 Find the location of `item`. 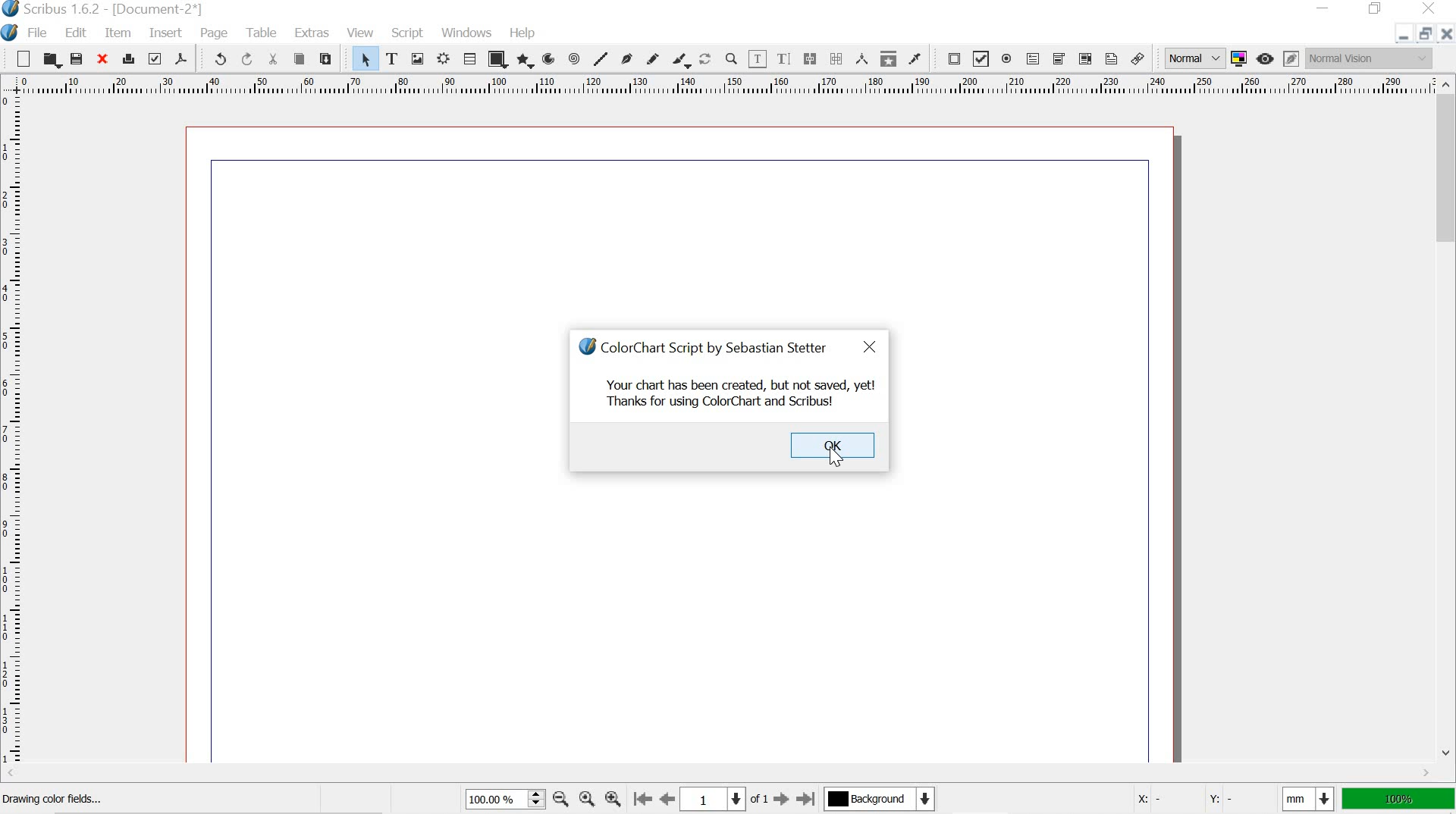

item is located at coordinates (118, 33).